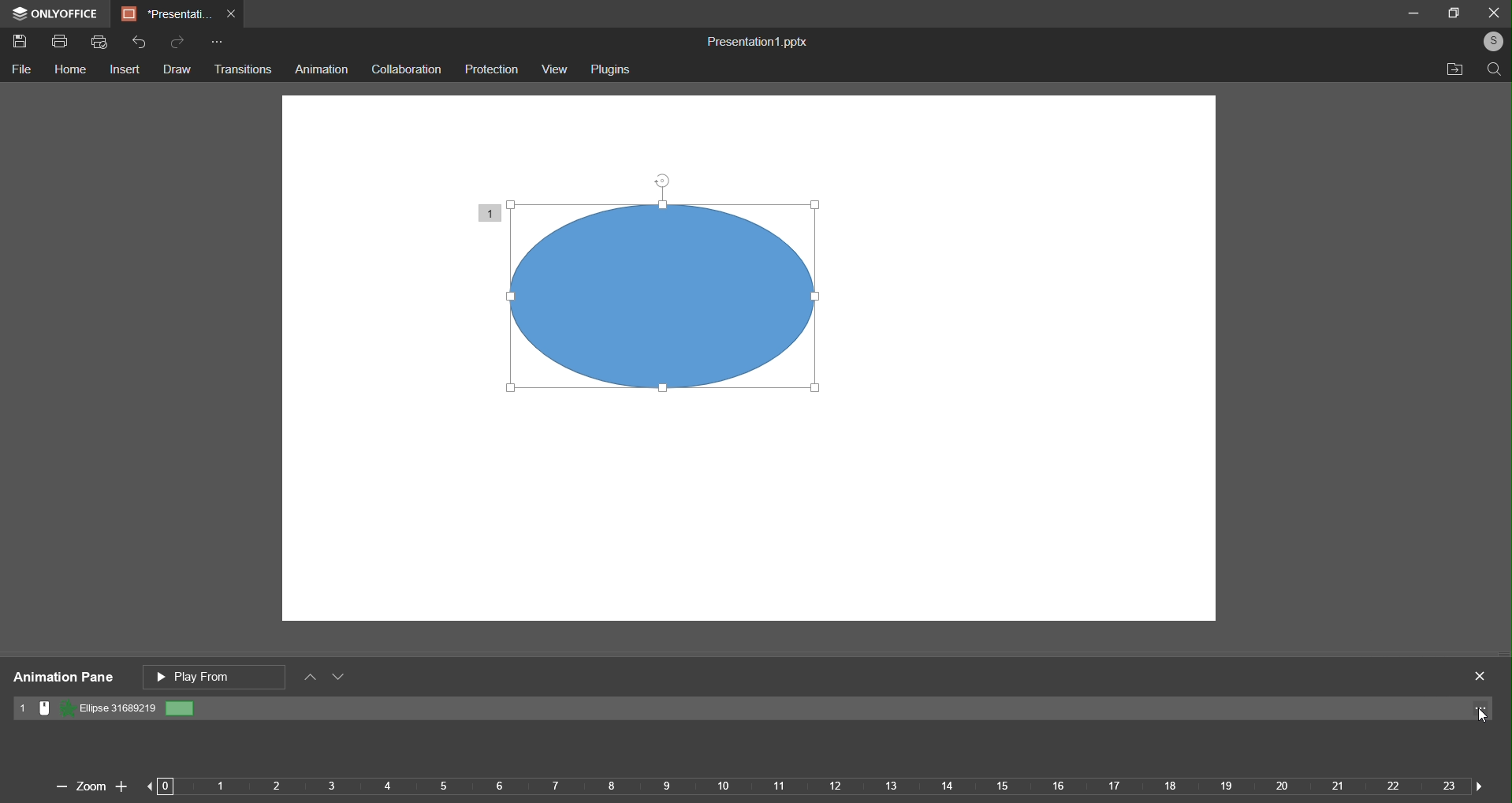  I want to click on zoom in, so click(121, 783).